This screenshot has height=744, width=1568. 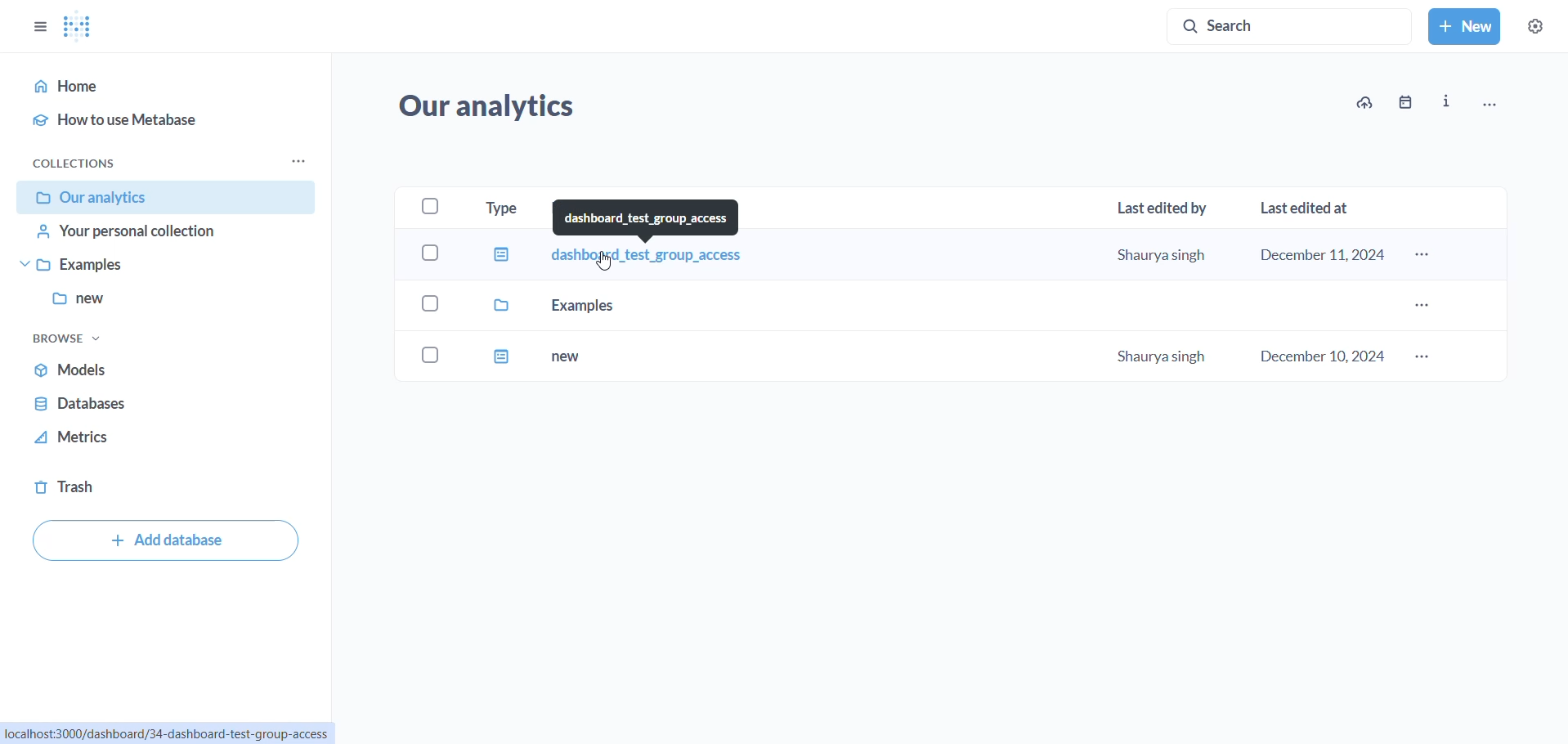 What do you see at coordinates (95, 164) in the screenshot?
I see `collection` at bounding box center [95, 164].